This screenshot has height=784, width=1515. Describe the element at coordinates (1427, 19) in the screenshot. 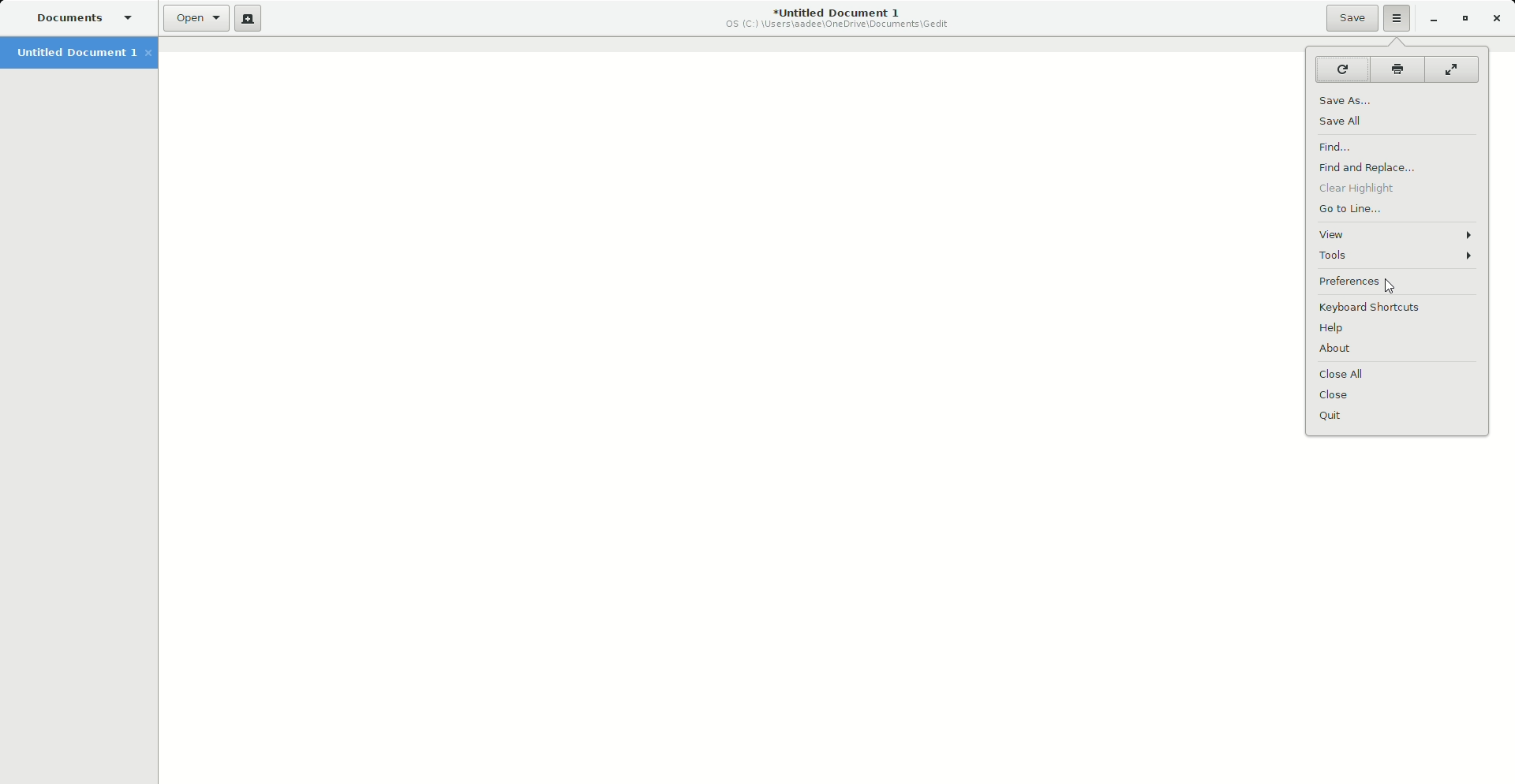

I see `Minimize` at that location.